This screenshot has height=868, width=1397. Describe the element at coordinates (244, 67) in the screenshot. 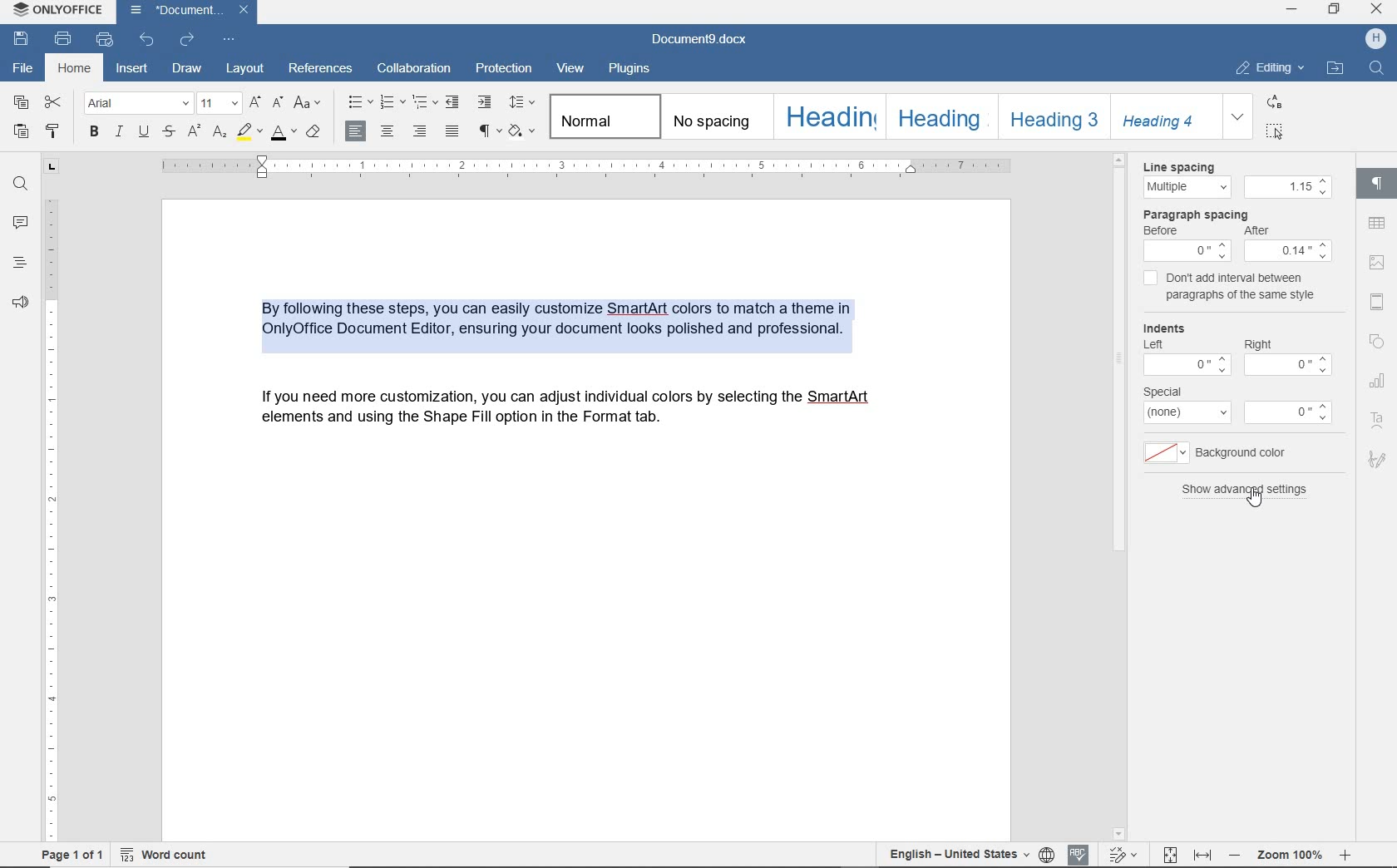

I see `layout` at that location.